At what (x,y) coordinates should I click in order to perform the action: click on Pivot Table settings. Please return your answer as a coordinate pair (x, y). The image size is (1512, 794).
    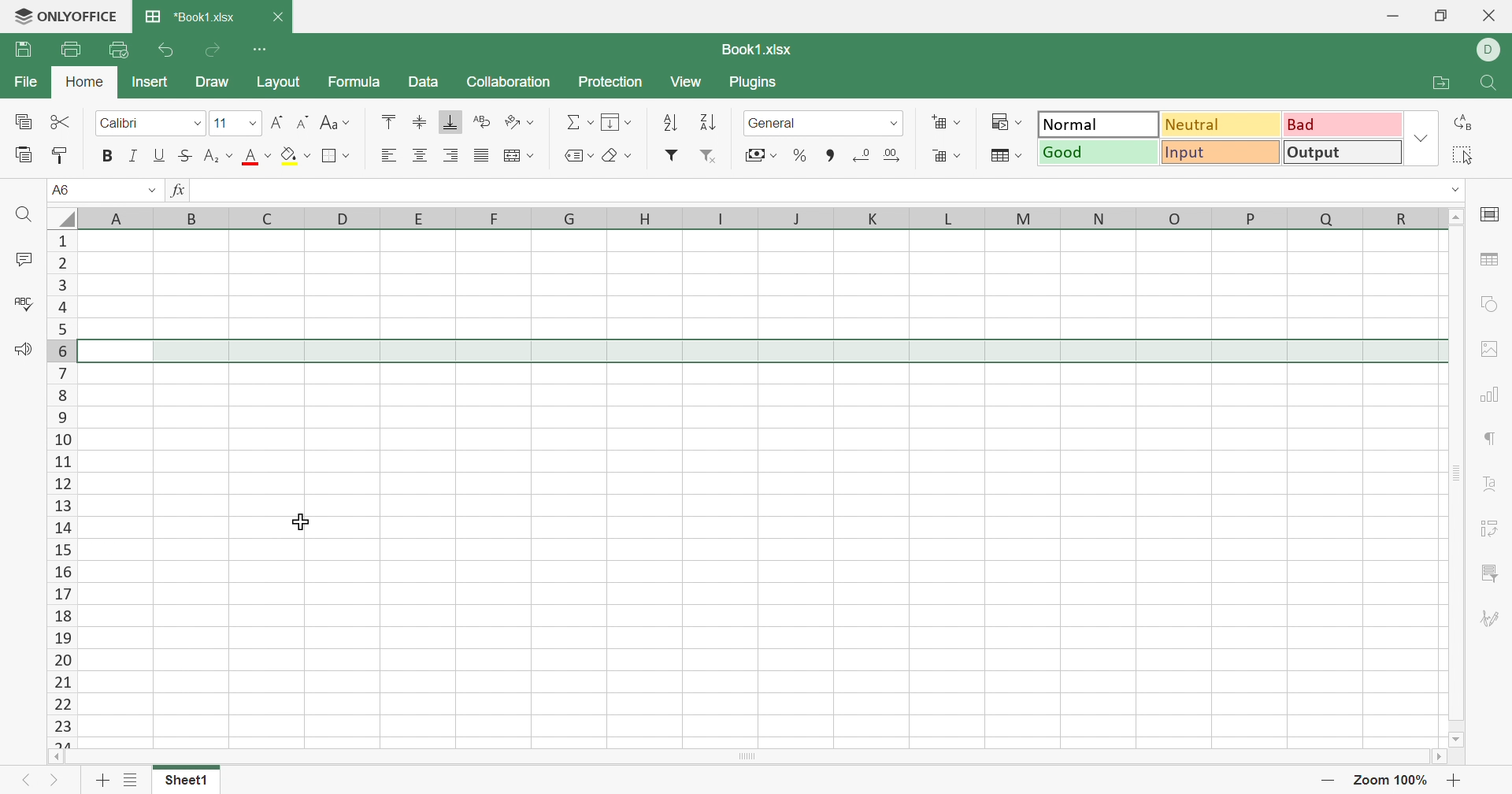
    Looking at the image, I should click on (1492, 529).